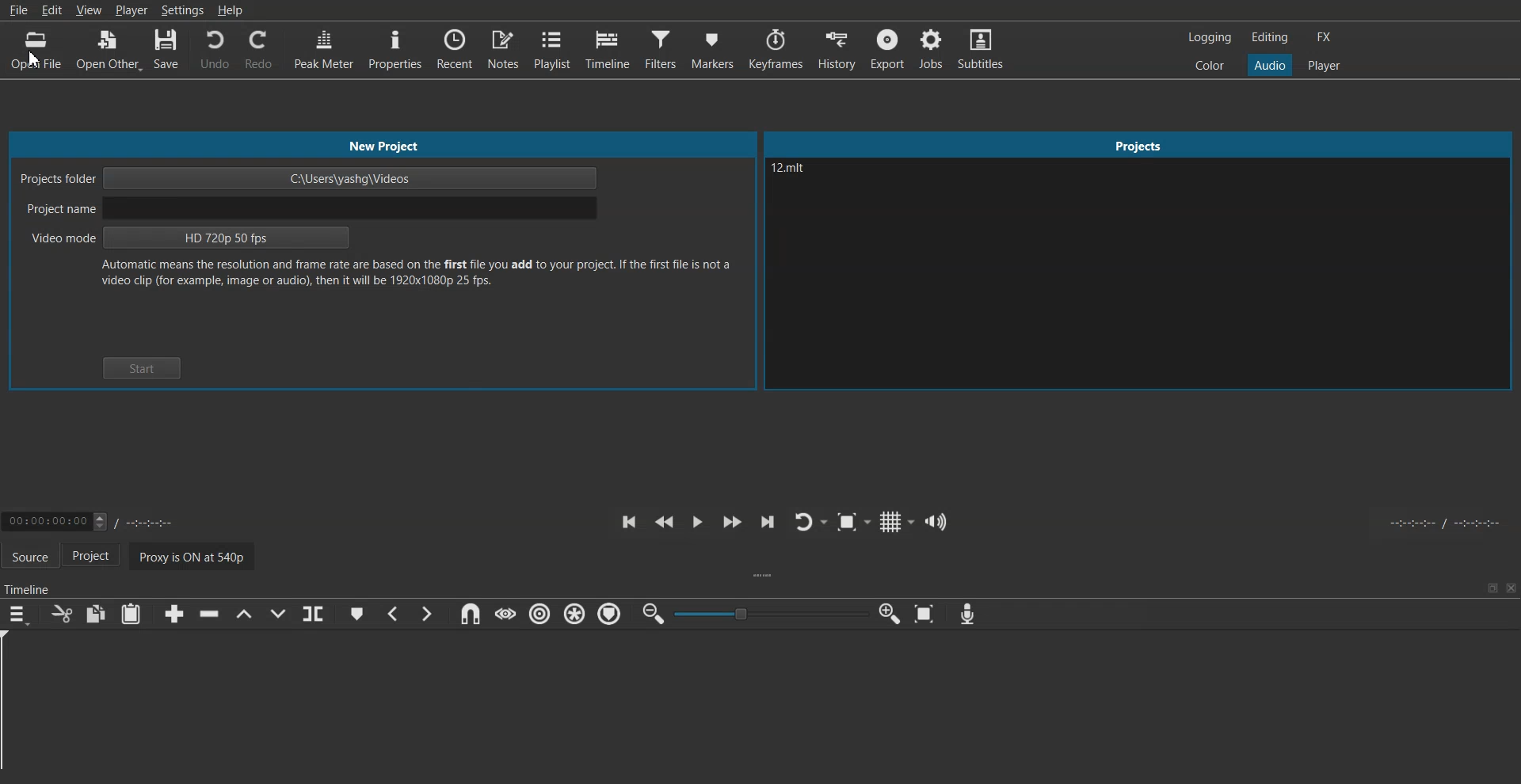 The image size is (1521, 784). Describe the element at coordinates (1271, 64) in the screenshot. I see `Switch to the Audio layout` at that location.